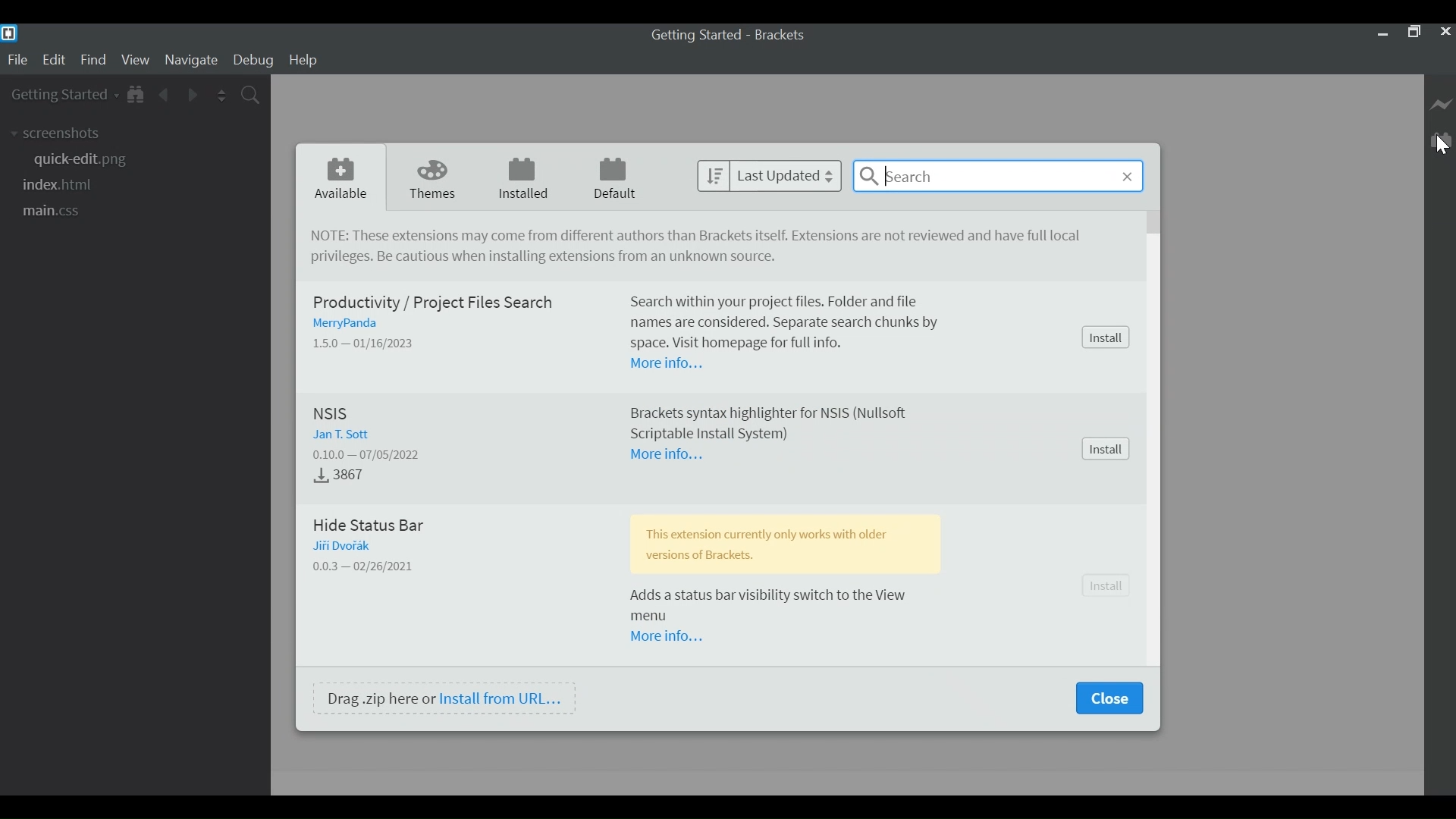 The image size is (1456, 819). Describe the element at coordinates (306, 60) in the screenshot. I see `Help` at that location.